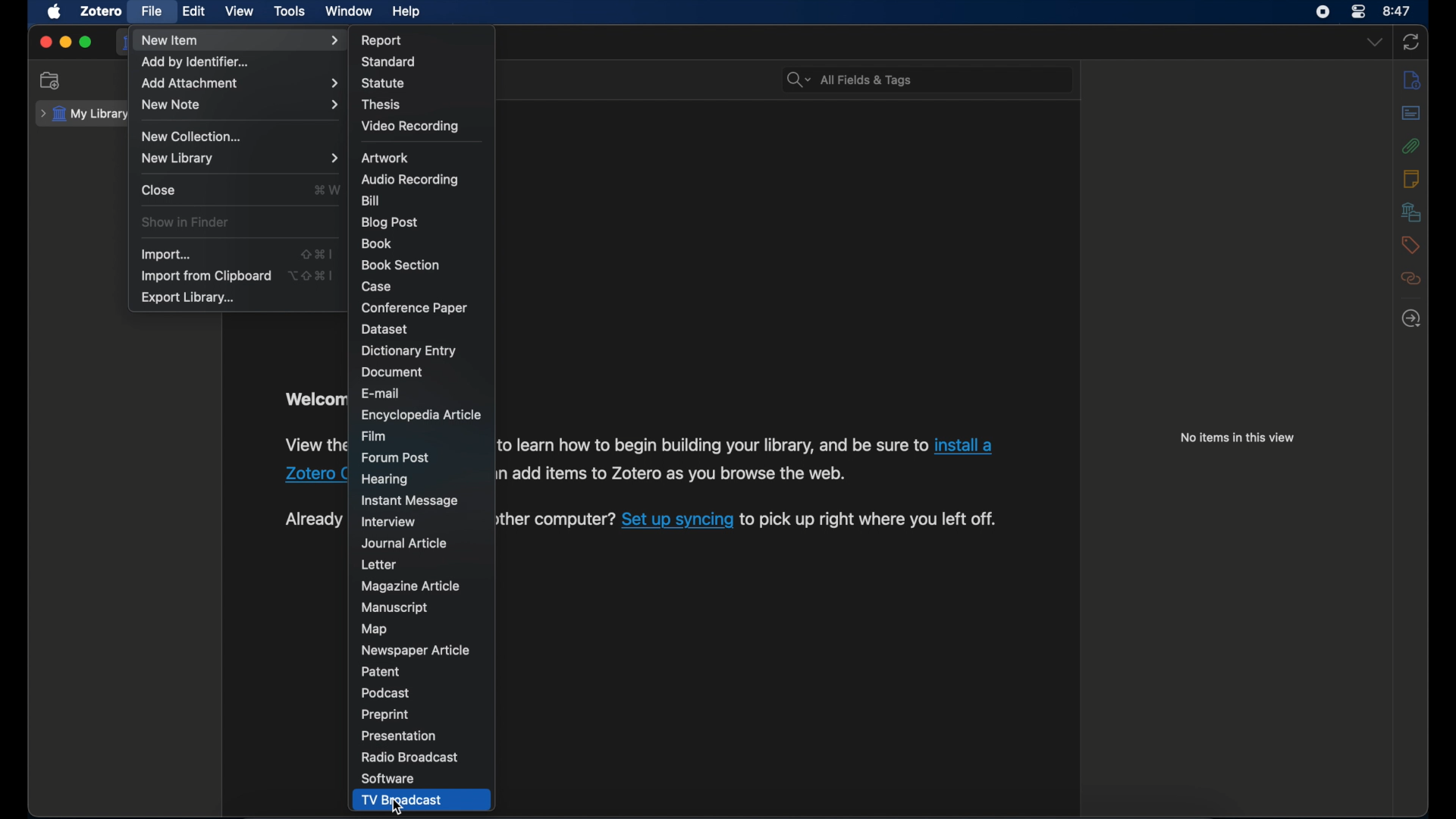  Describe the element at coordinates (385, 157) in the screenshot. I see `artwork` at that location.